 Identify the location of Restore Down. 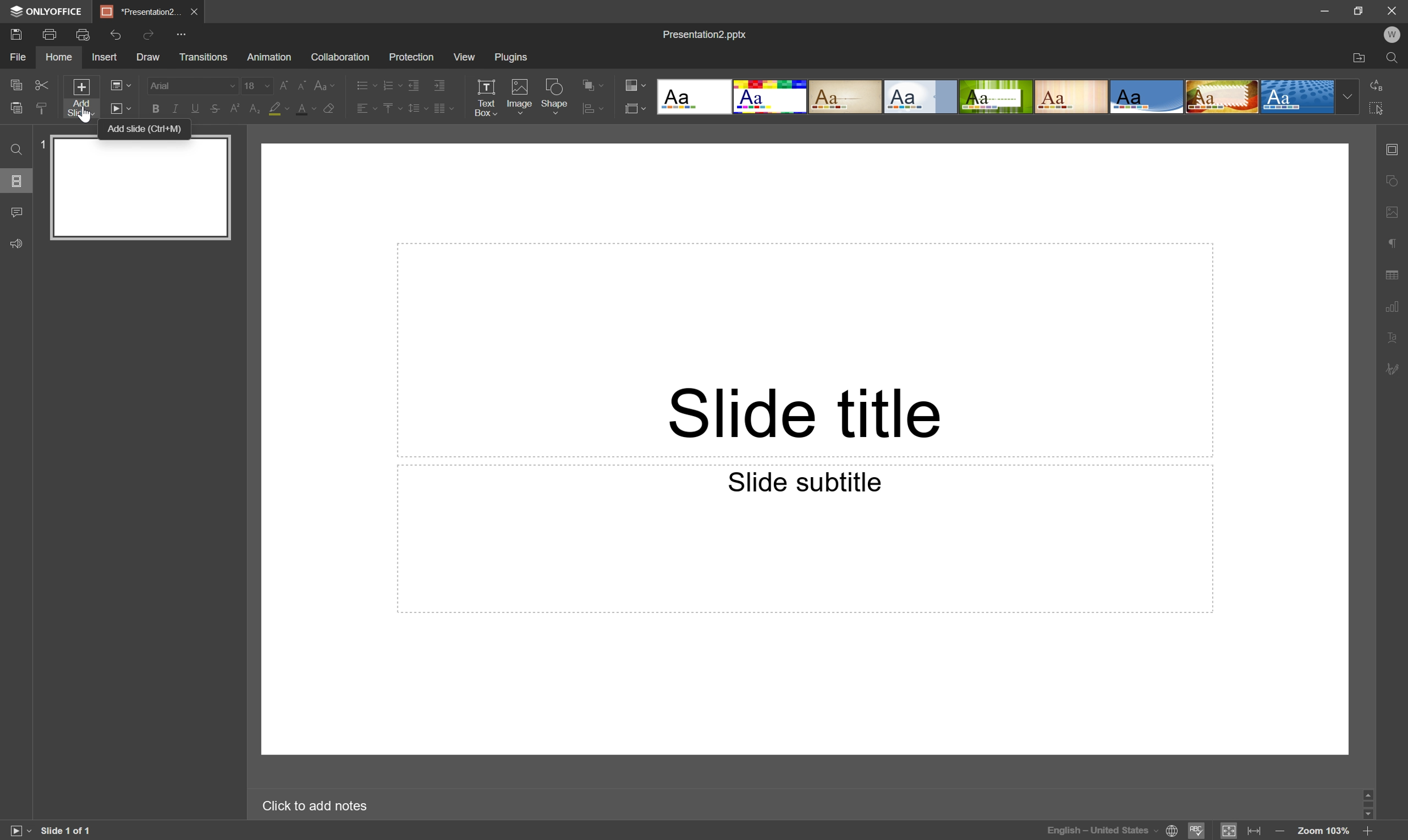
(1359, 11).